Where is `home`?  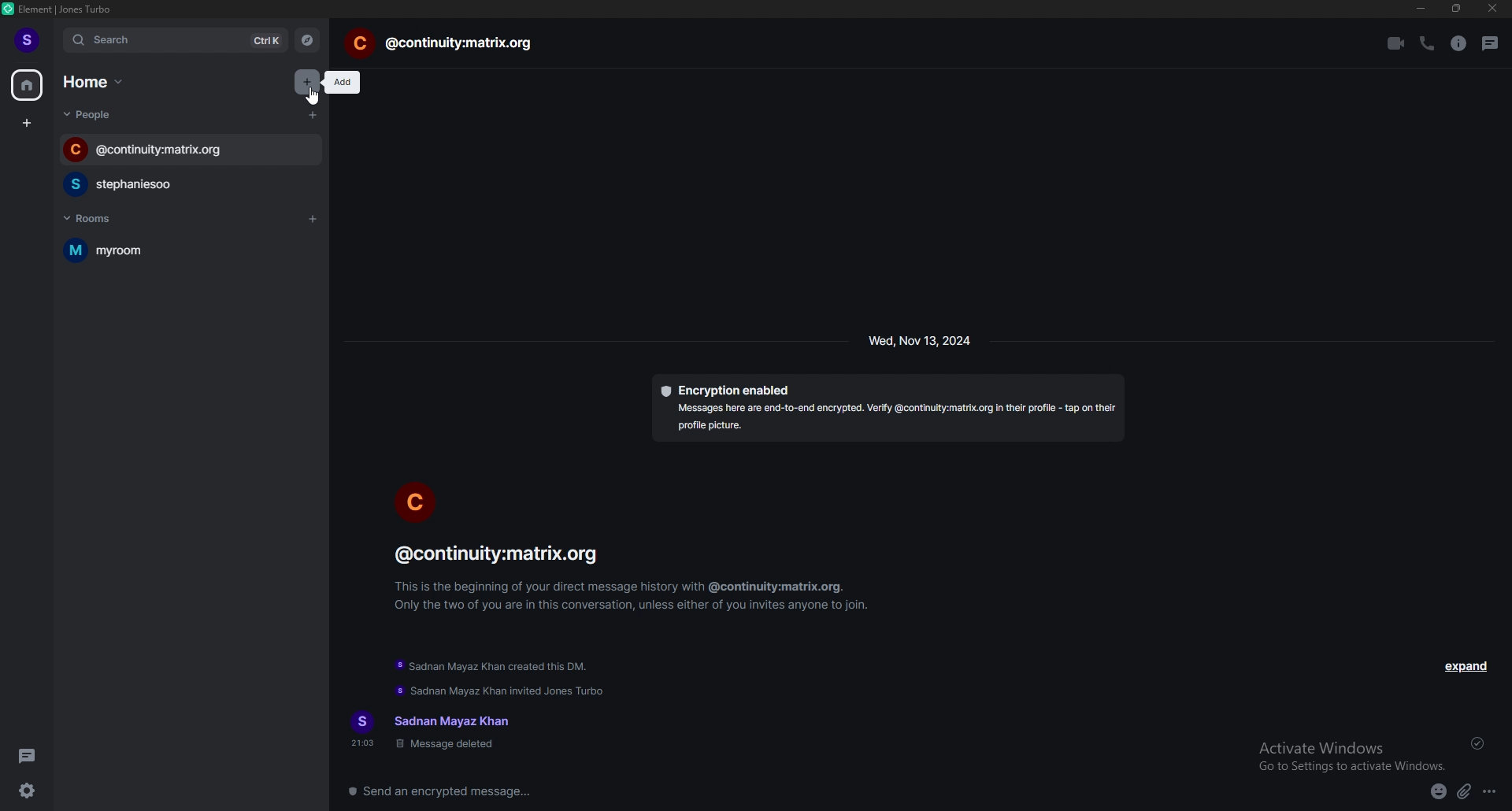 home is located at coordinates (97, 81).